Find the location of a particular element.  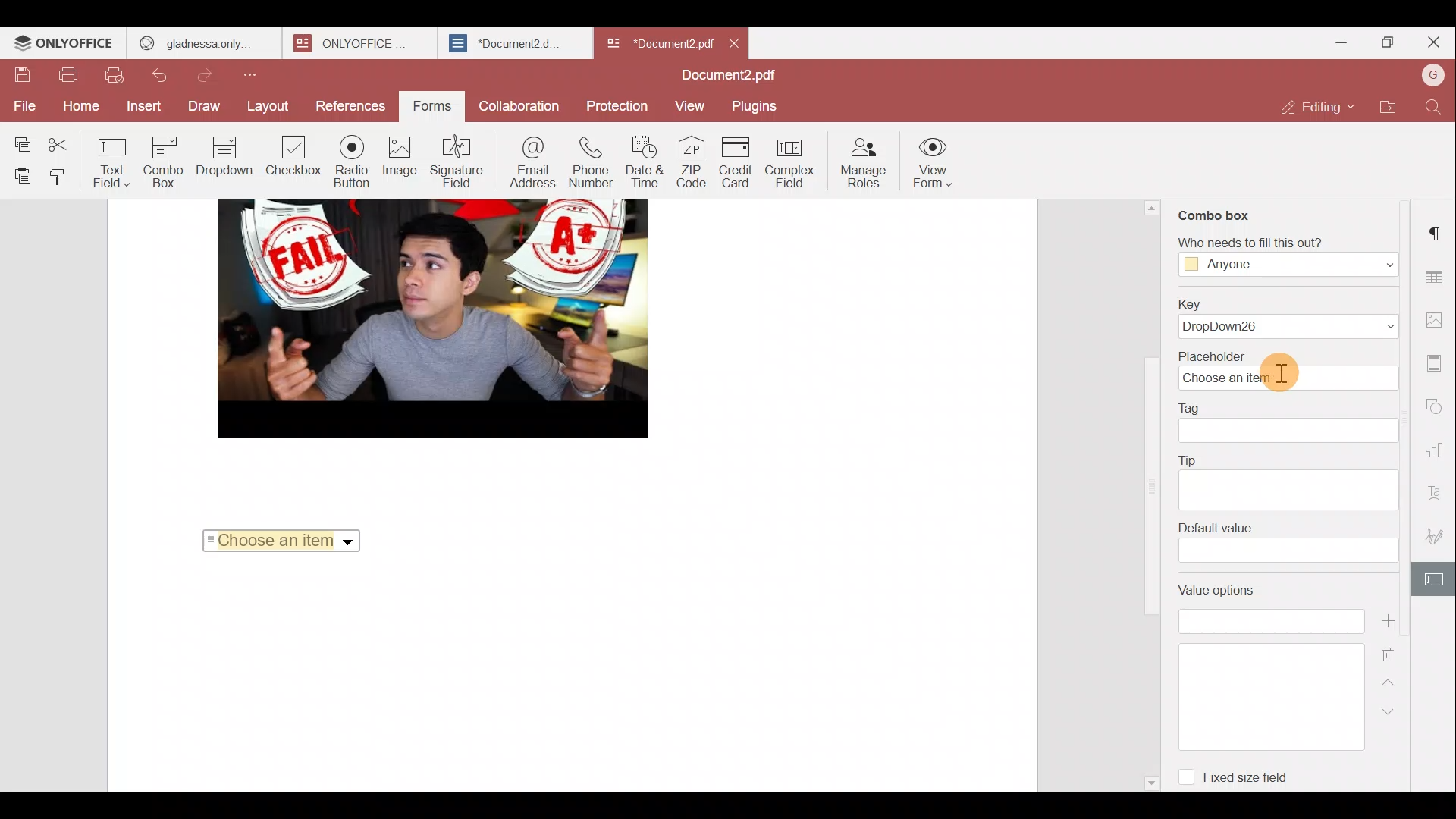

Minimize is located at coordinates (1329, 45).